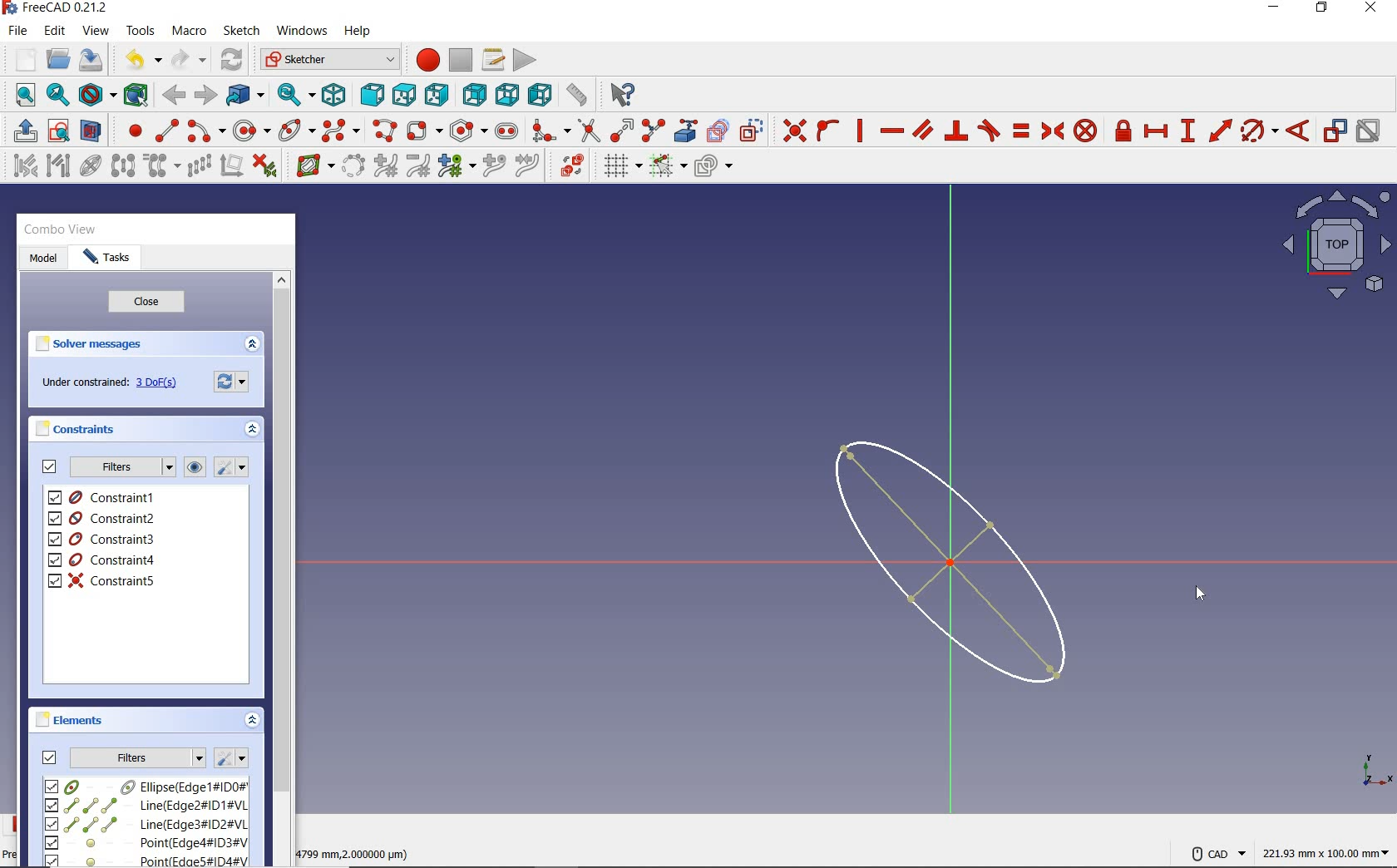 This screenshot has width=1397, height=868. Describe the element at coordinates (90, 344) in the screenshot. I see `solver messages` at that location.